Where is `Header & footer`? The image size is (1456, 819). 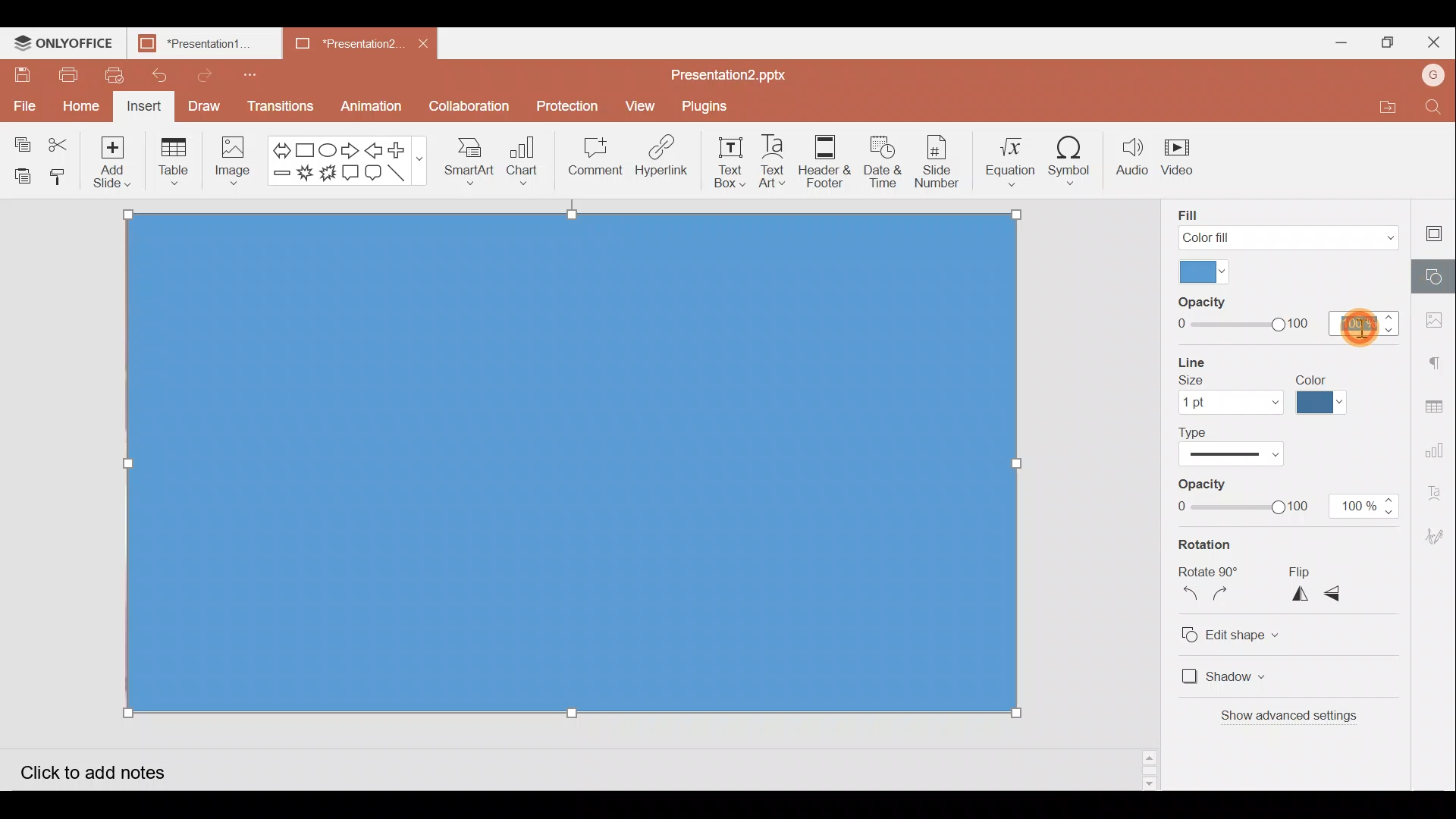 Header & footer is located at coordinates (824, 164).